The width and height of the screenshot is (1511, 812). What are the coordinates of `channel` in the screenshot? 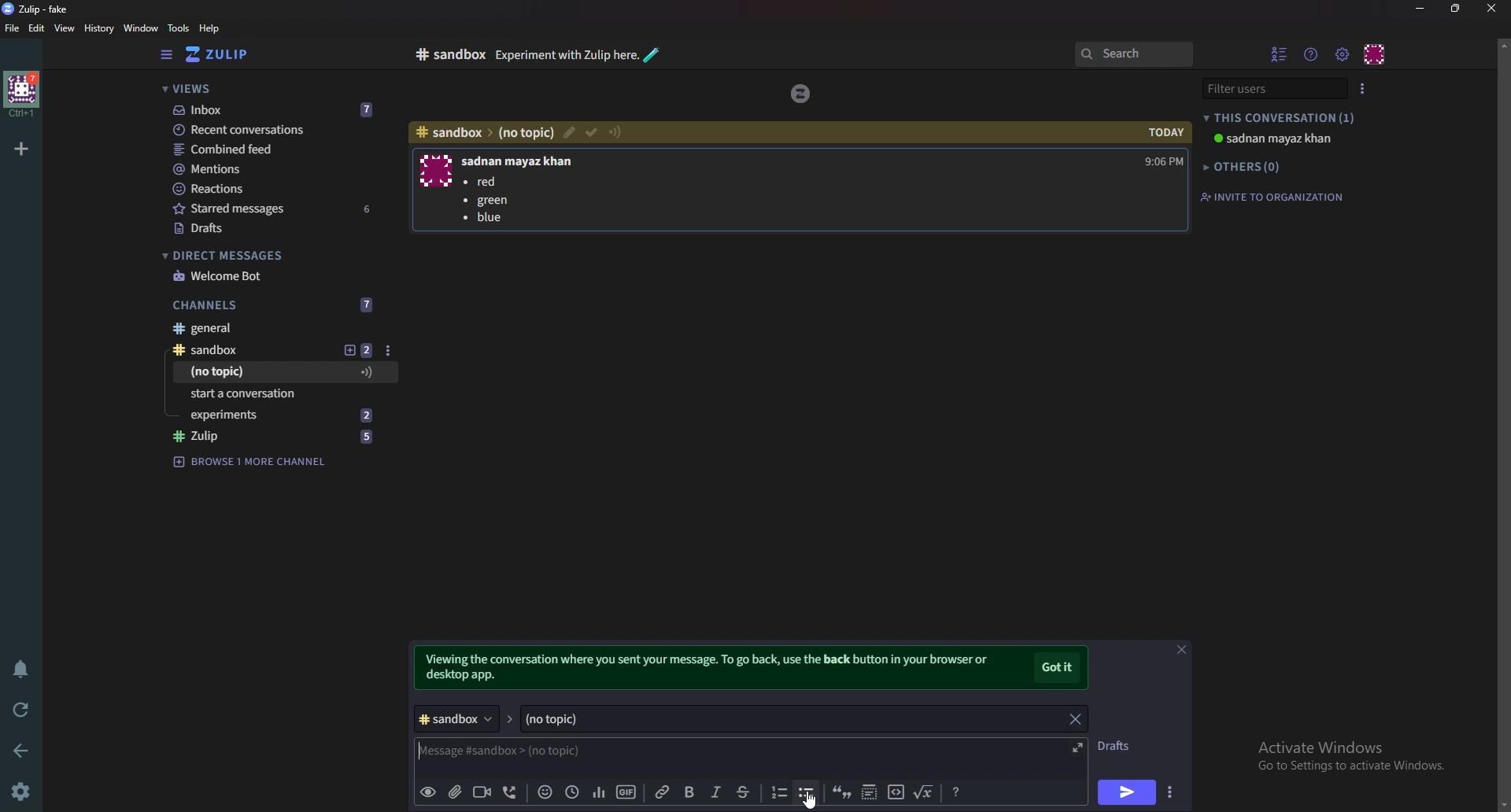 It's located at (460, 719).